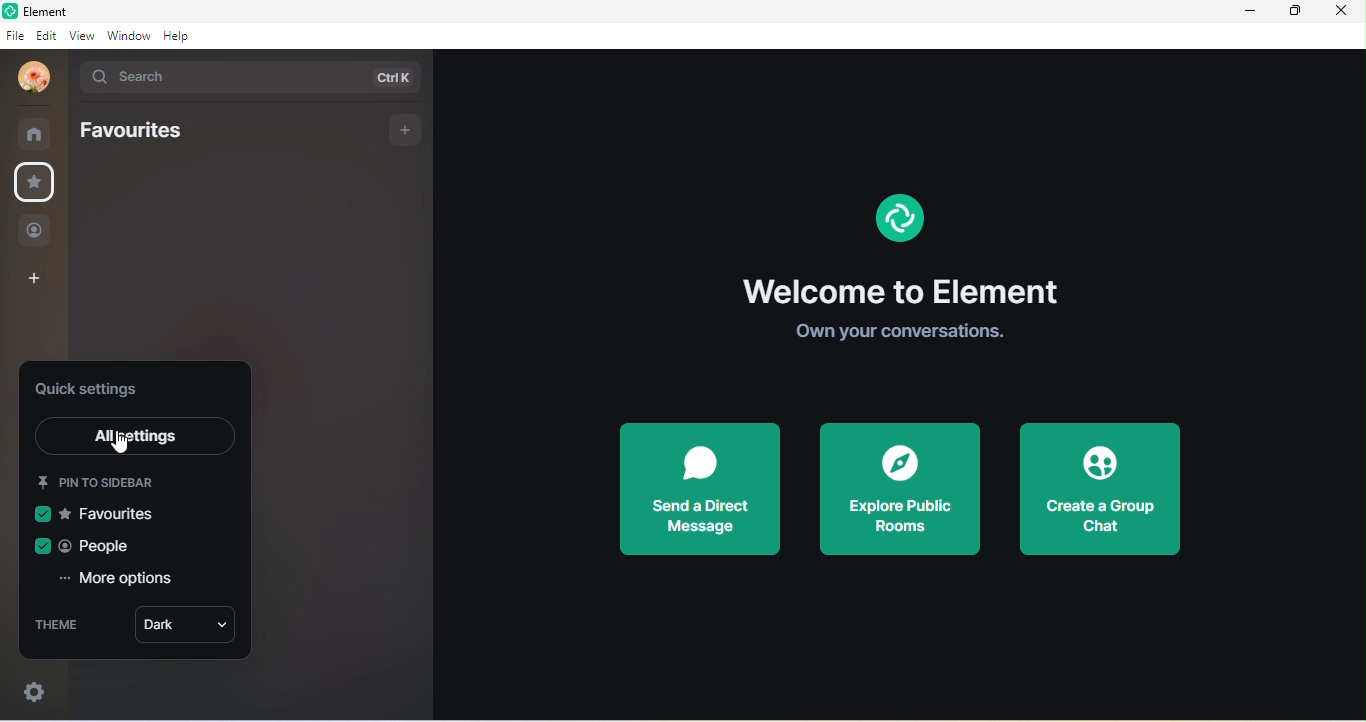  Describe the element at coordinates (35, 229) in the screenshot. I see `people` at that location.